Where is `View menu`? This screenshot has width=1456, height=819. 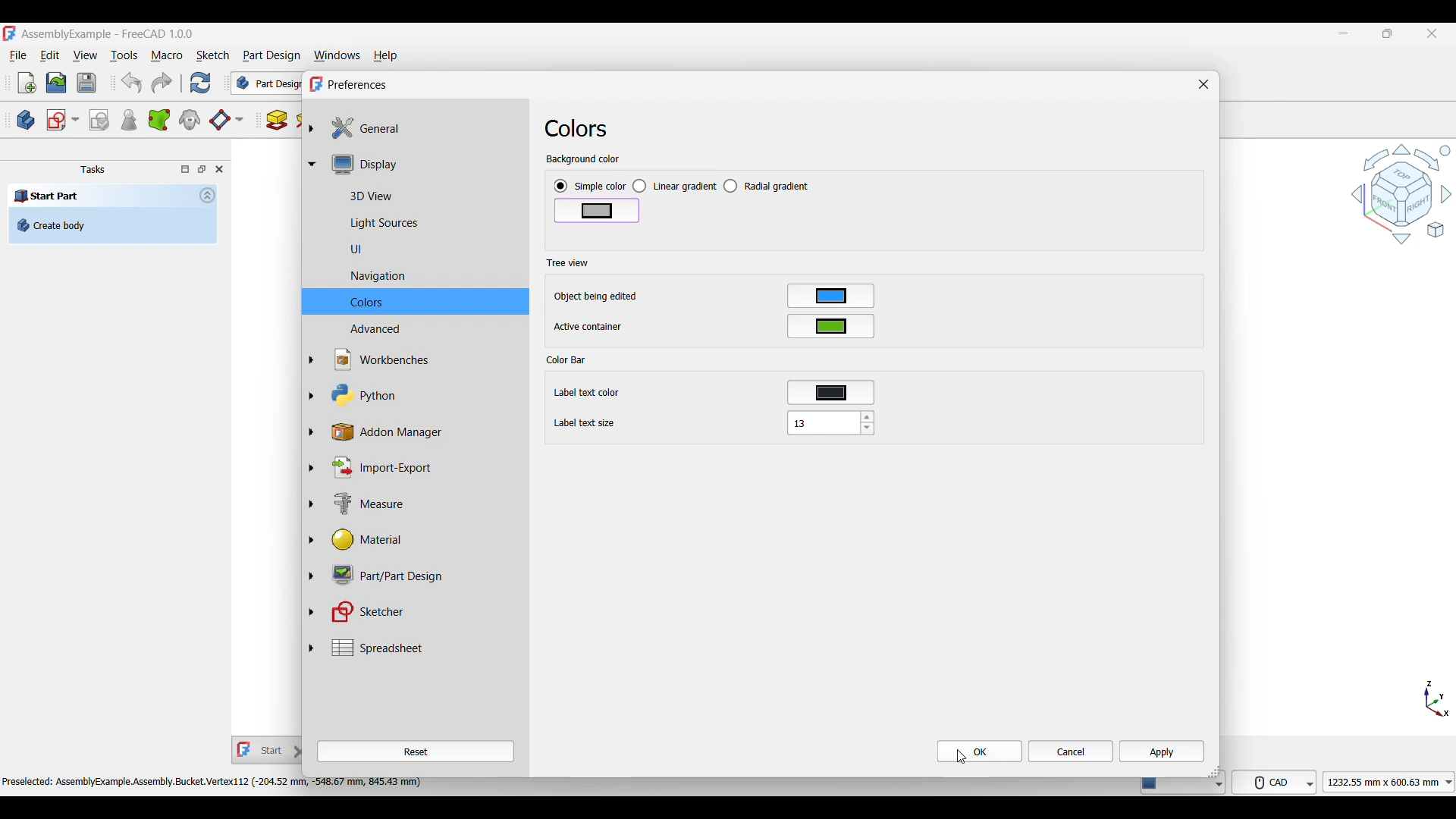
View menu is located at coordinates (85, 55).